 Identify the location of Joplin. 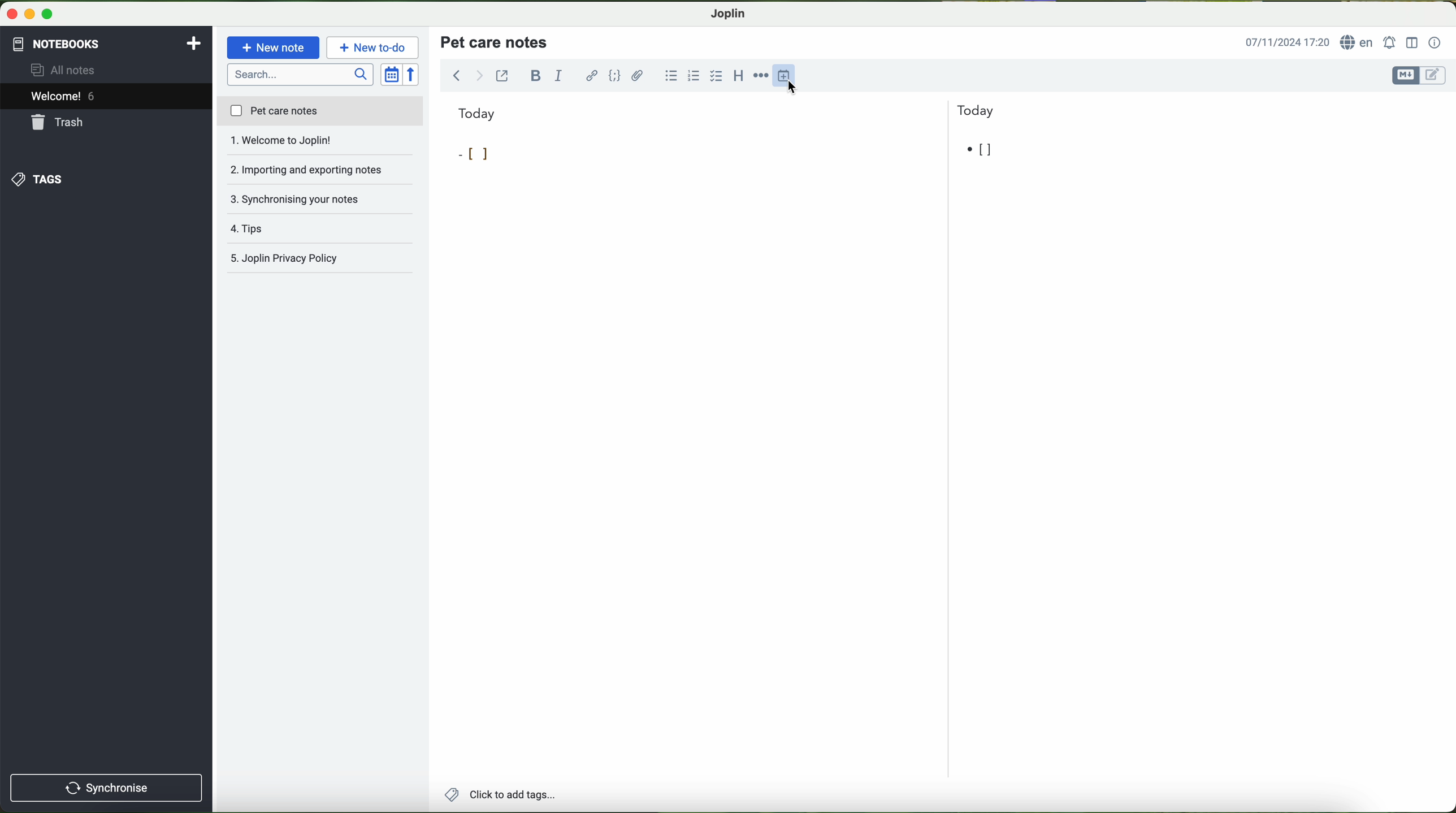
(729, 12).